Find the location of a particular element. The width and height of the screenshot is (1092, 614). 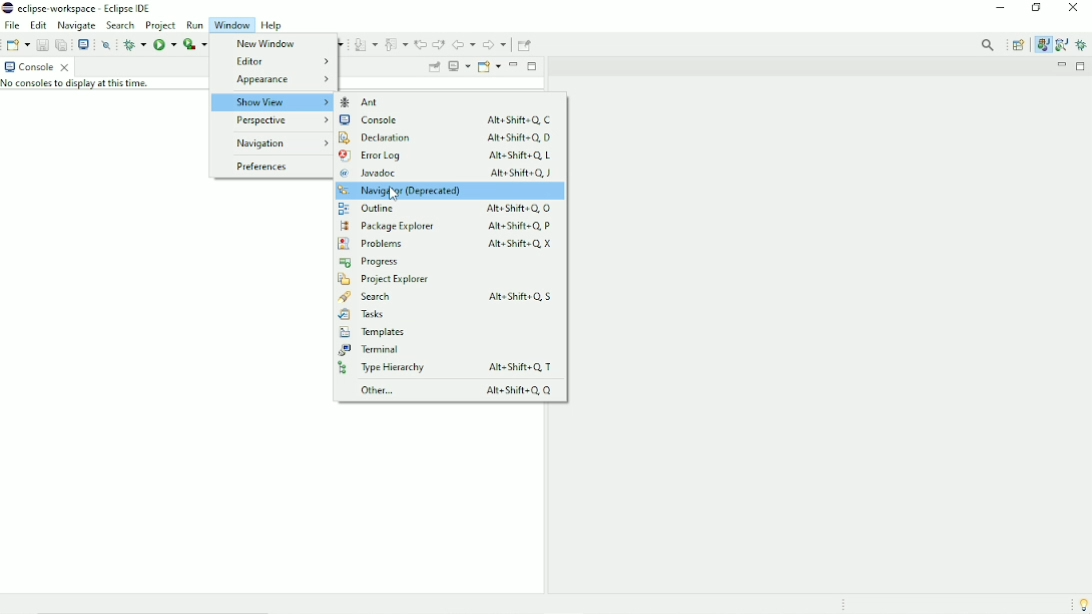

eclipse-workspace - eclipse ide is located at coordinates (92, 7).